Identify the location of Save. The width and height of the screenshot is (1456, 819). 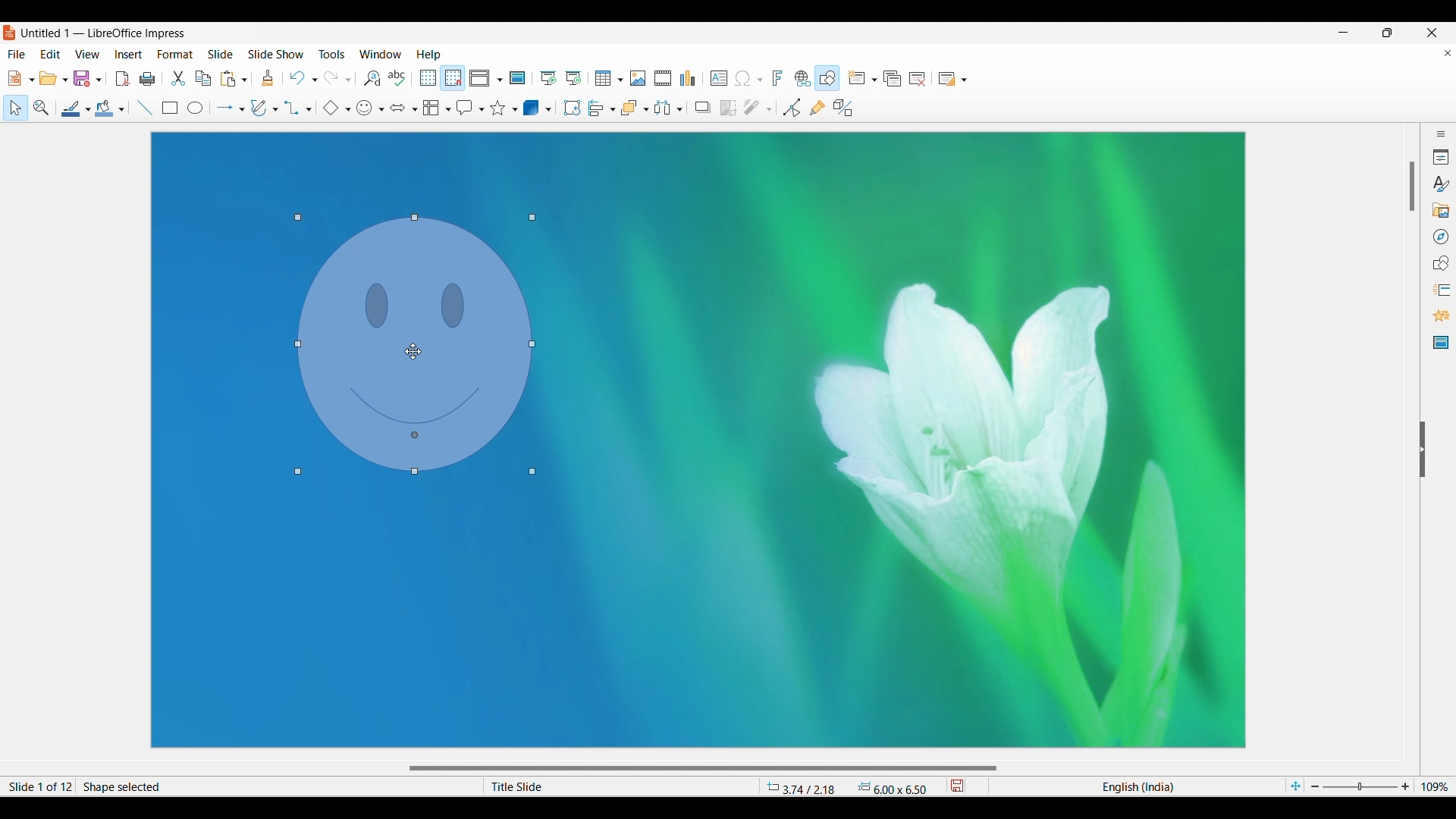
(83, 78).